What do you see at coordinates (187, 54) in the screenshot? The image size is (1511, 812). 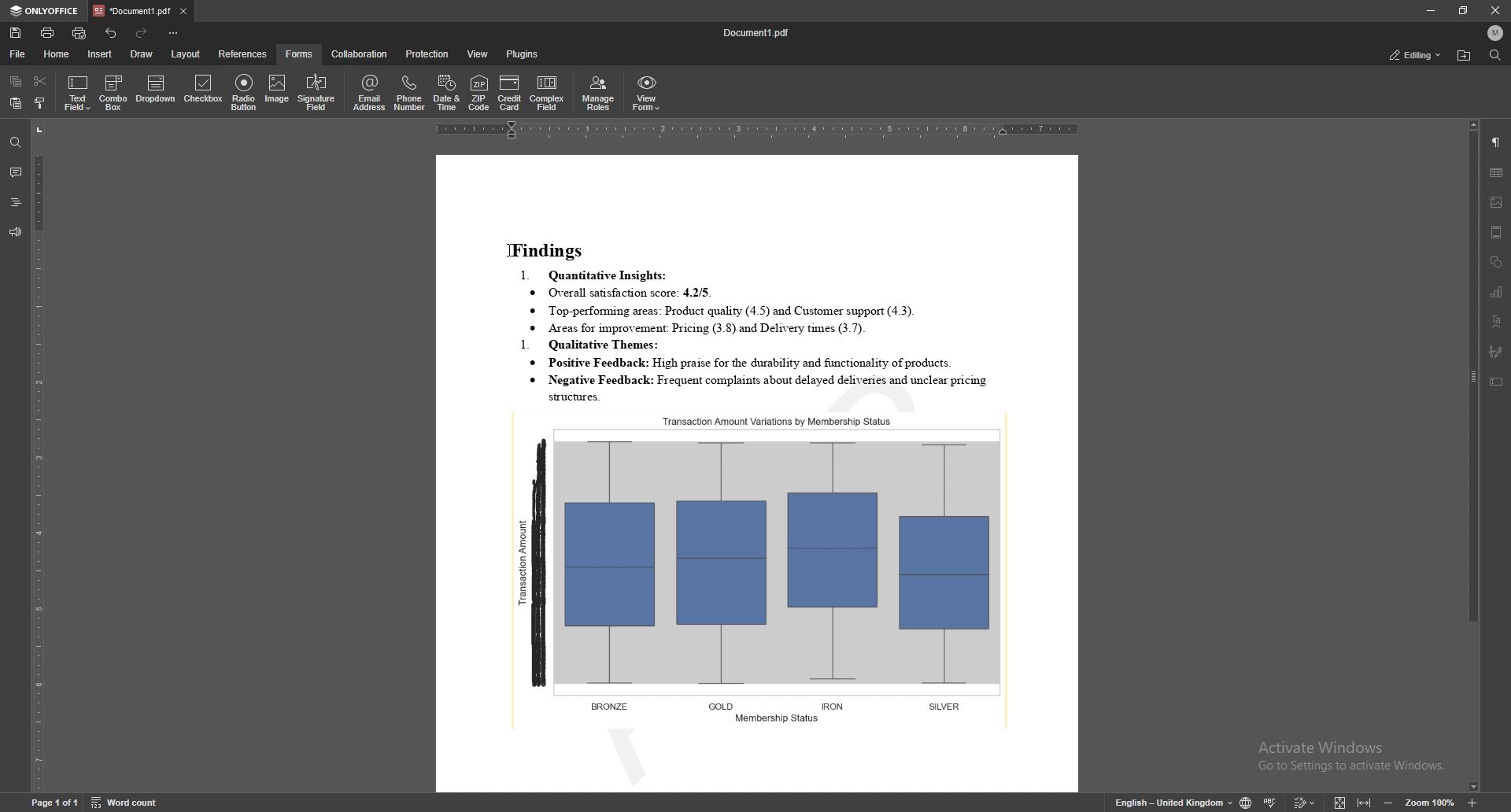 I see `layout` at bounding box center [187, 54].